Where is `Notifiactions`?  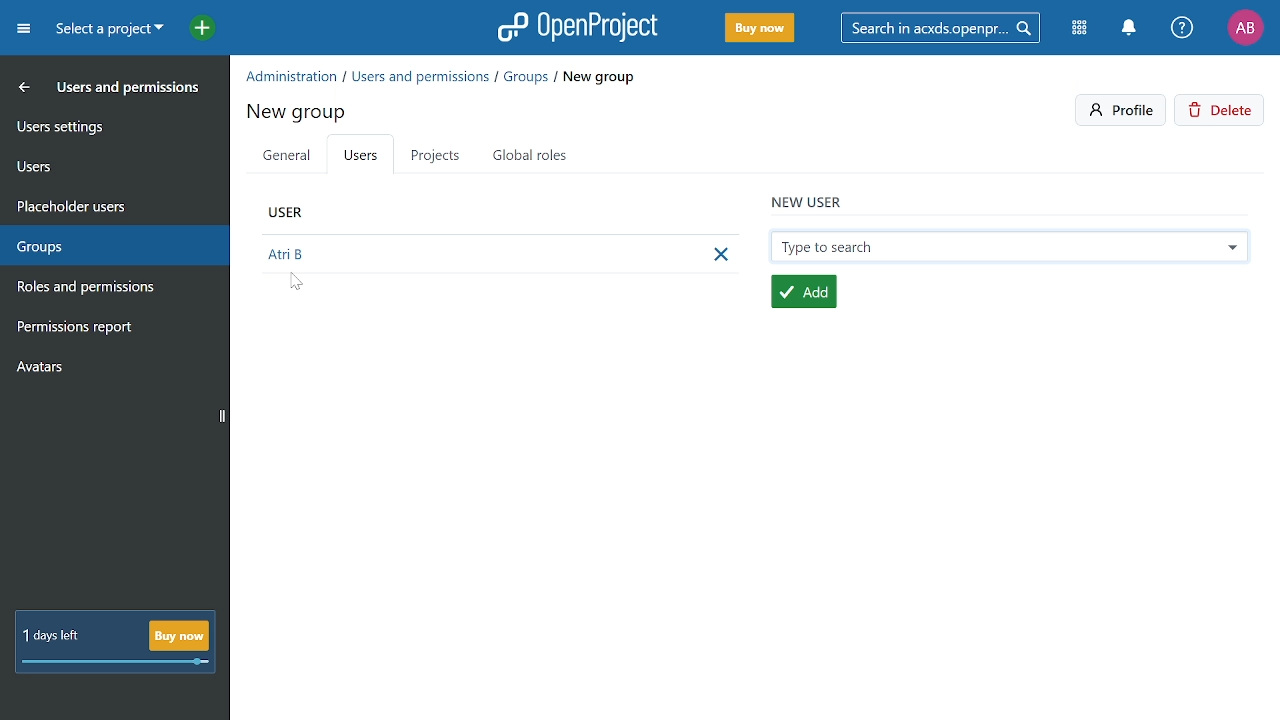
Notifiactions is located at coordinates (1134, 29).